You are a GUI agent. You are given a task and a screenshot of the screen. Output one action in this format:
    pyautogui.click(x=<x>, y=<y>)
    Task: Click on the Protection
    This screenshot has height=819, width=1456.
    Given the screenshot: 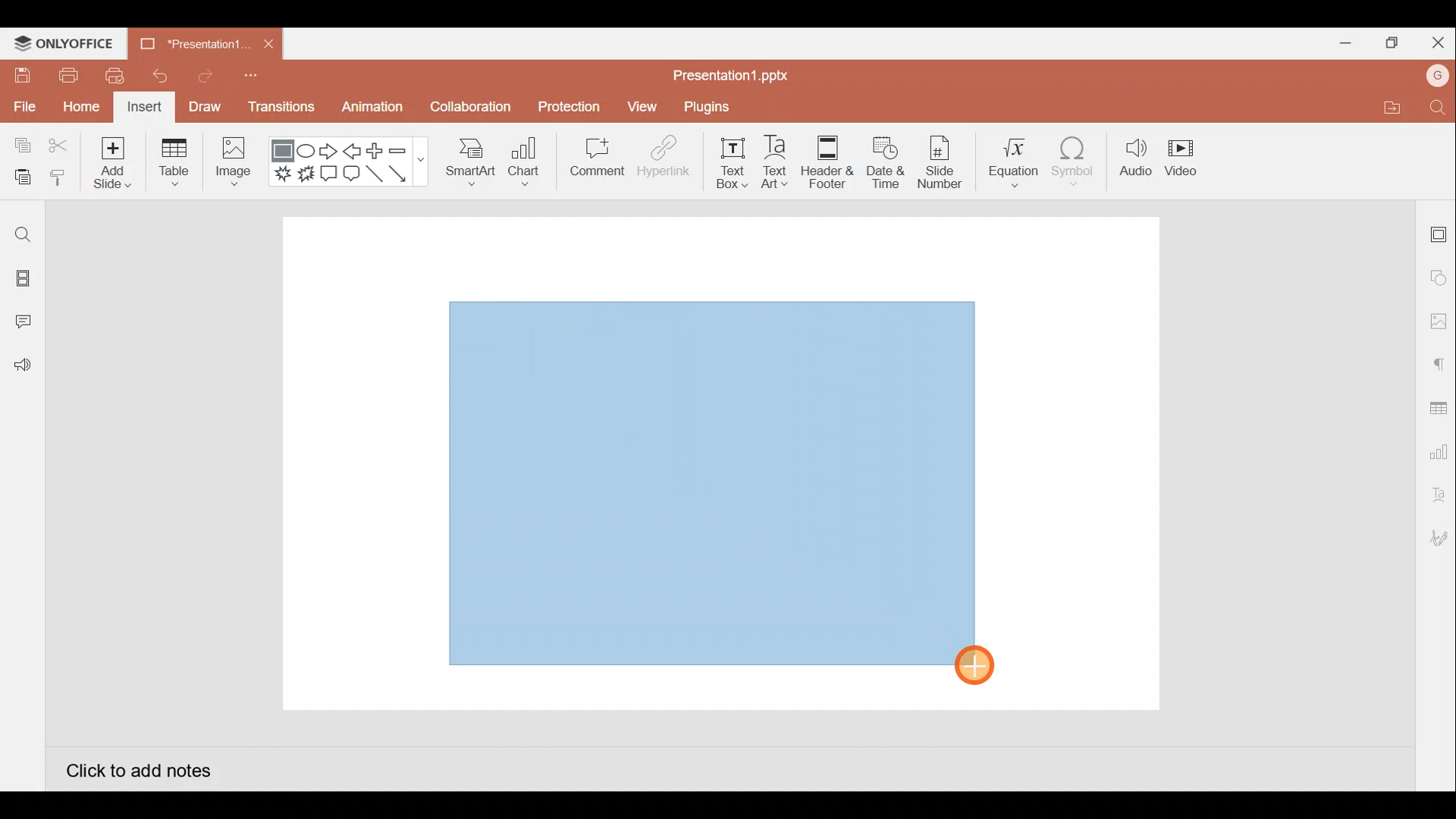 What is the action you would take?
    pyautogui.click(x=565, y=107)
    